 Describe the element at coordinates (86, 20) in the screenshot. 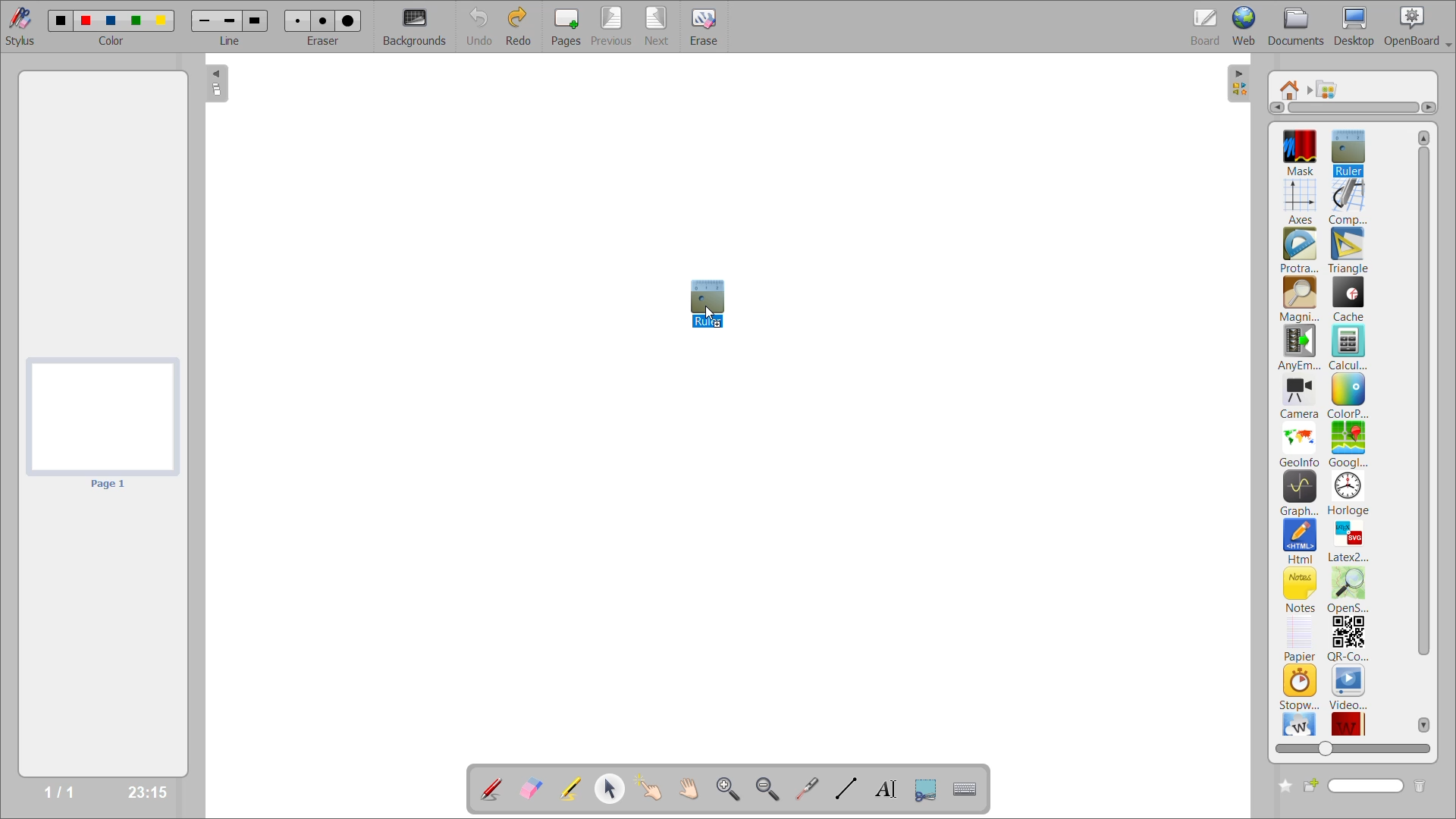

I see `color 2` at that location.